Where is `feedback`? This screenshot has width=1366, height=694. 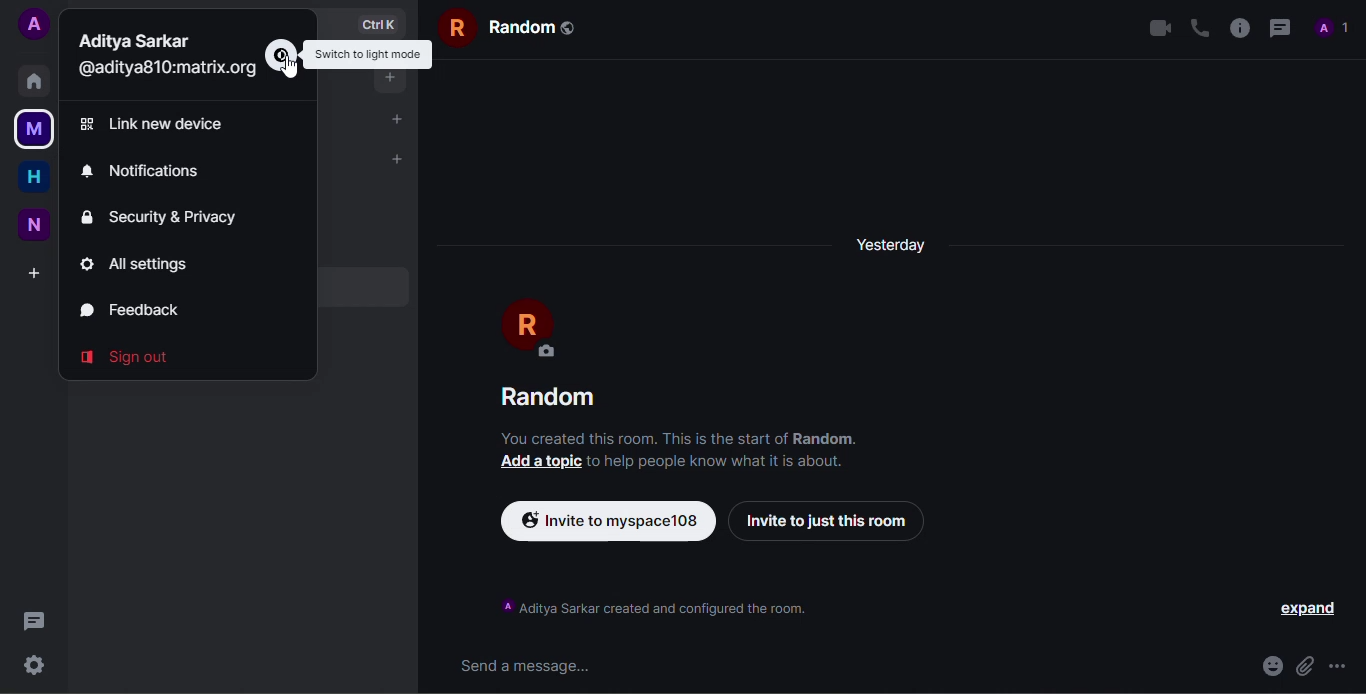
feedback is located at coordinates (141, 306).